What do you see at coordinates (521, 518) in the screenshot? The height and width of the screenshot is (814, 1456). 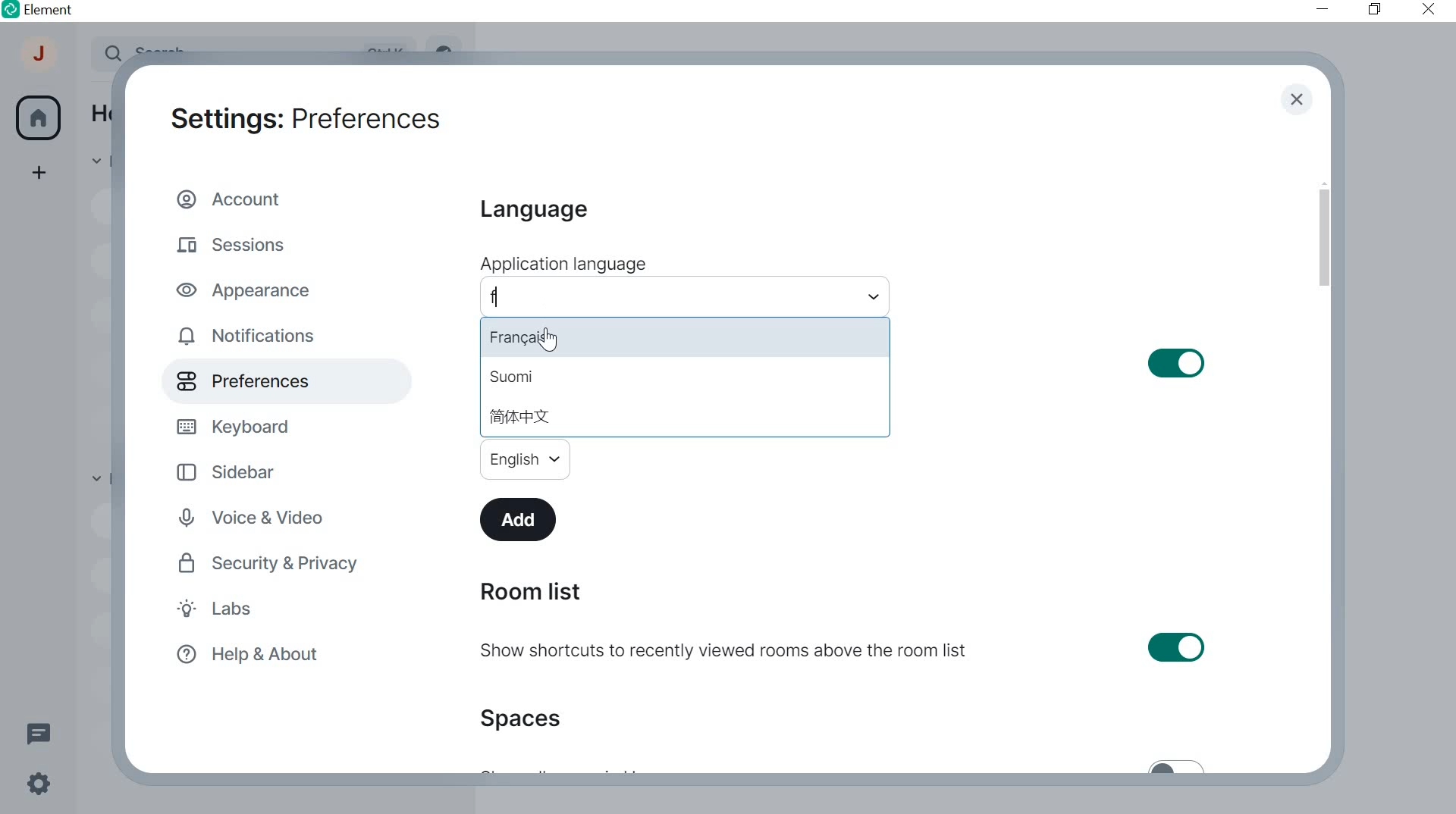 I see `Add` at bounding box center [521, 518].